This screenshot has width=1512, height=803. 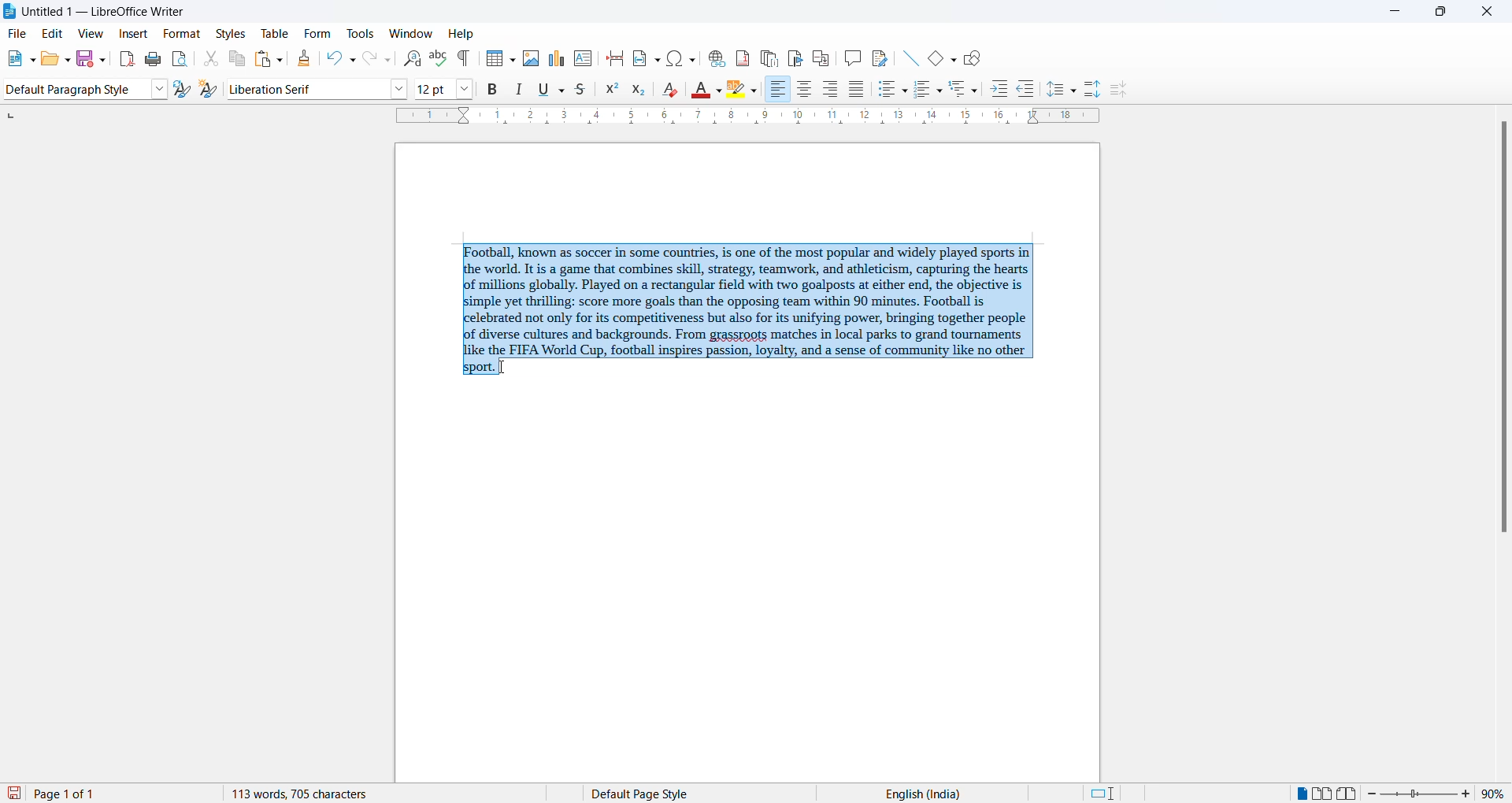 What do you see at coordinates (1118, 90) in the screenshot?
I see `decrease paragraph spacing` at bounding box center [1118, 90].